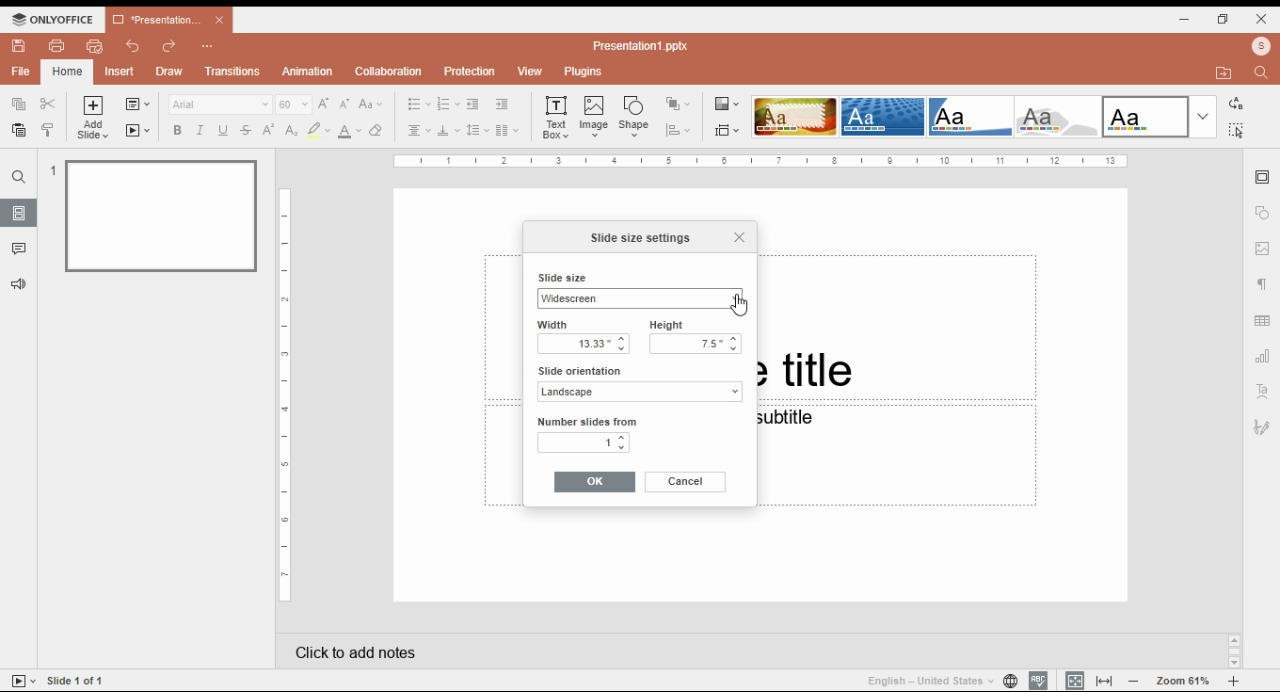 Image resolution: width=1280 pixels, height=692 pixels. Describe the element at coordinates (595, 116) in the screenshot. I see `insert image` at that location.